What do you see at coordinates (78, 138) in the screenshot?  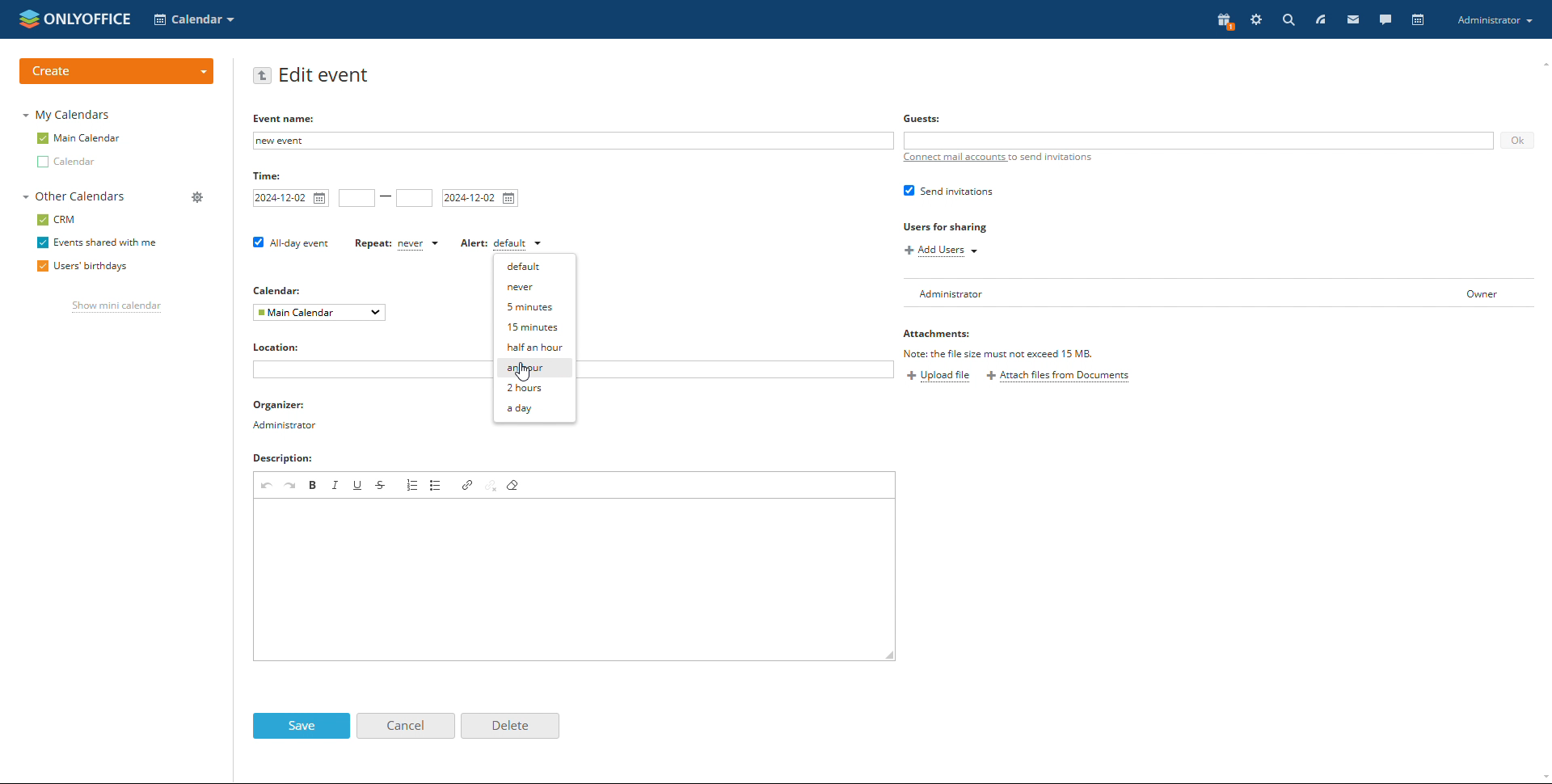 I see `main calendar` at bounding box center [78, 138].